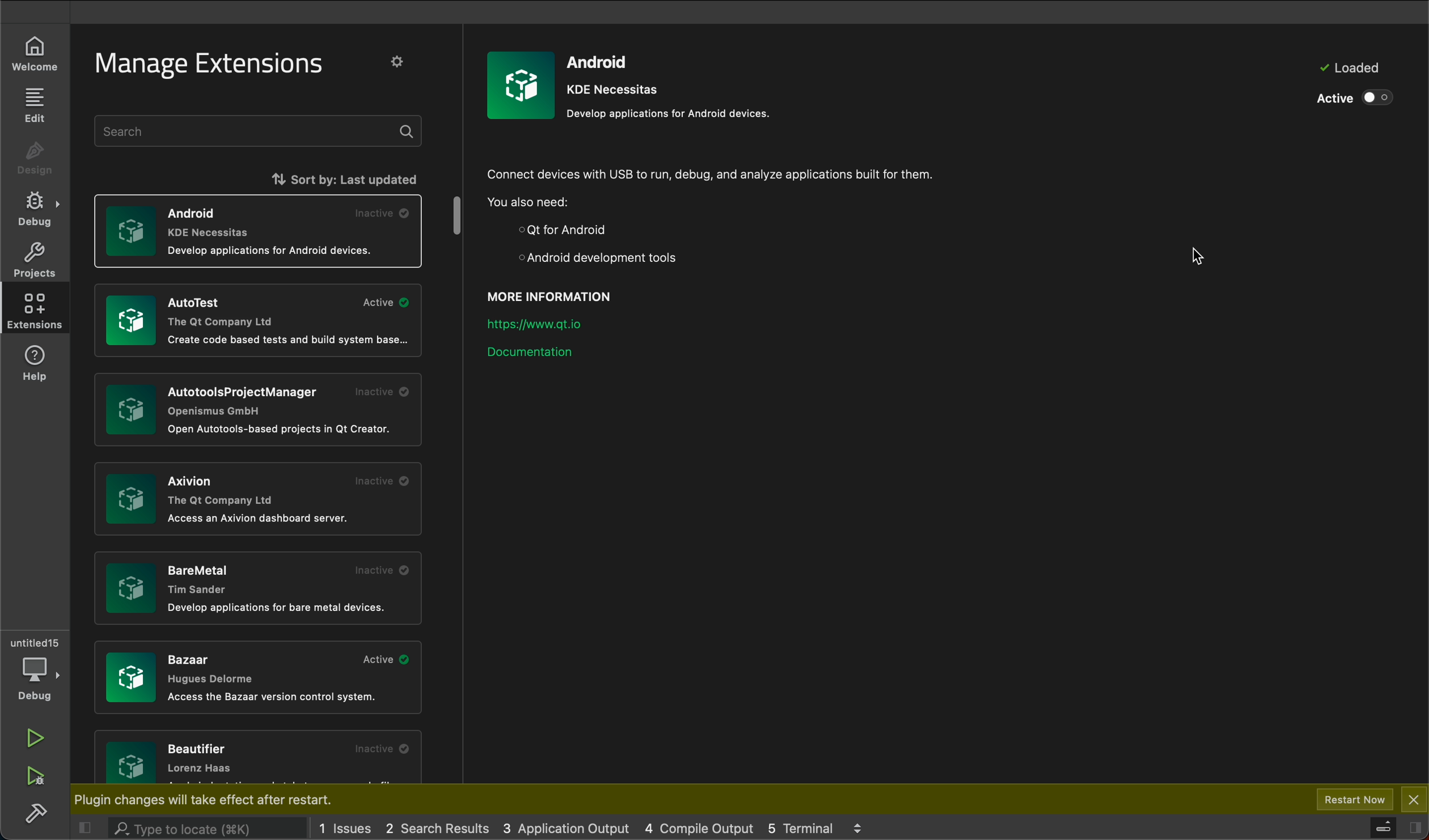 This screenshot has height=840, width=1429. What do you see at coordinates (257, 322) in the screenshot?
I see `extensions list` at bounding box center [257, 322].